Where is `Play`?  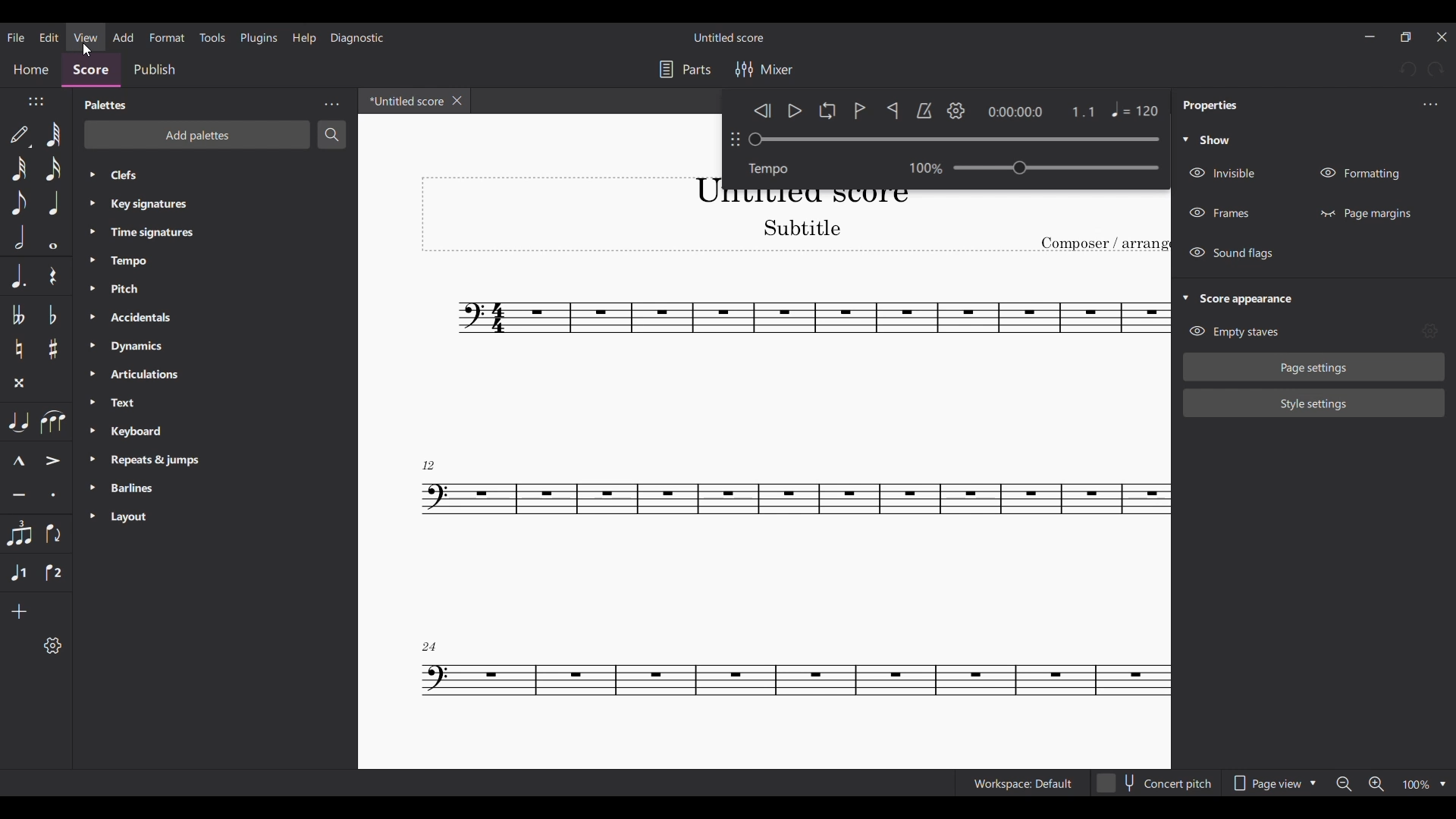
Play is located at coordinates (795, 111).